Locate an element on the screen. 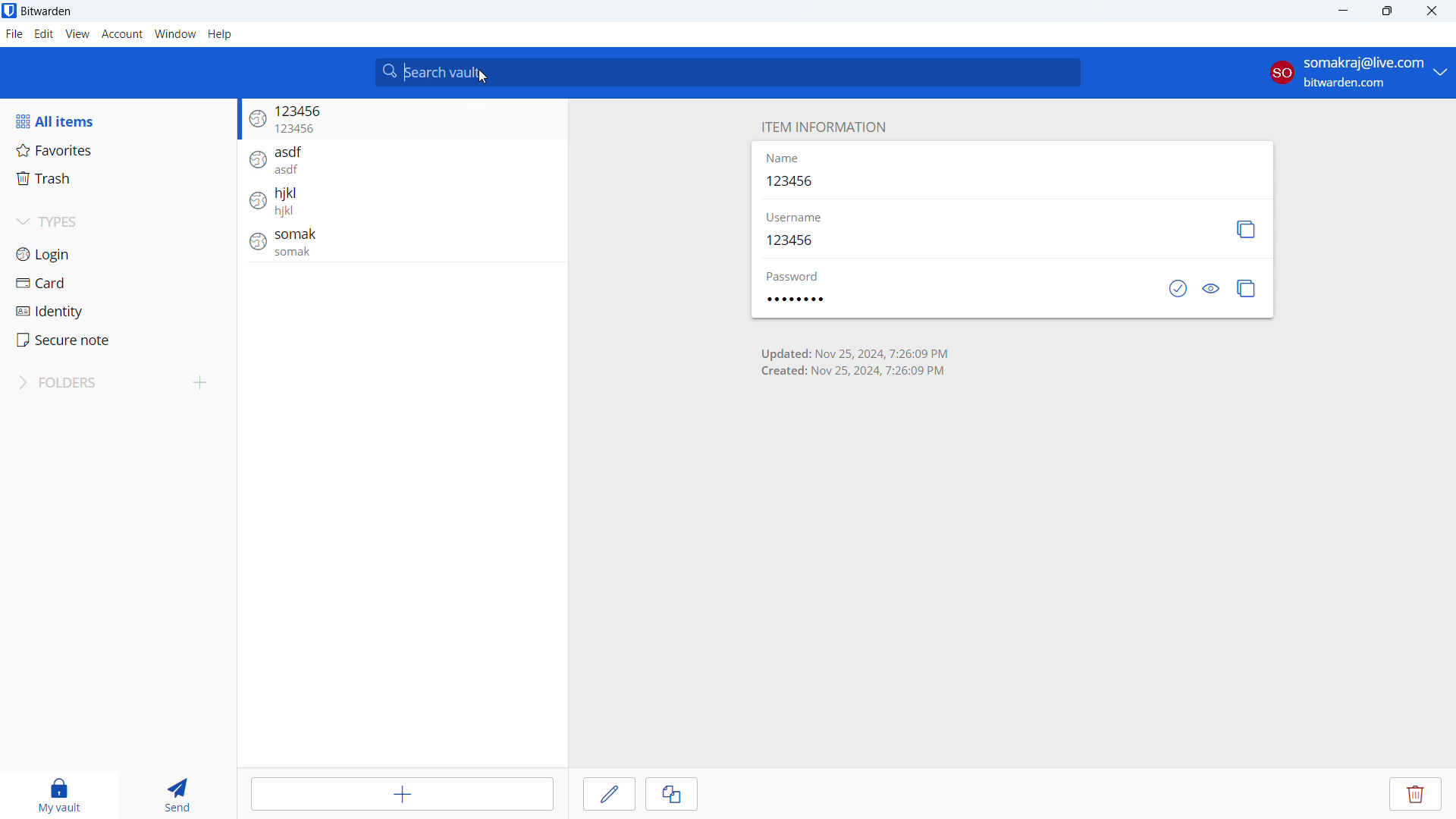 This screenshot has height=819, width=1456. send is located at coordinates (175, 792).